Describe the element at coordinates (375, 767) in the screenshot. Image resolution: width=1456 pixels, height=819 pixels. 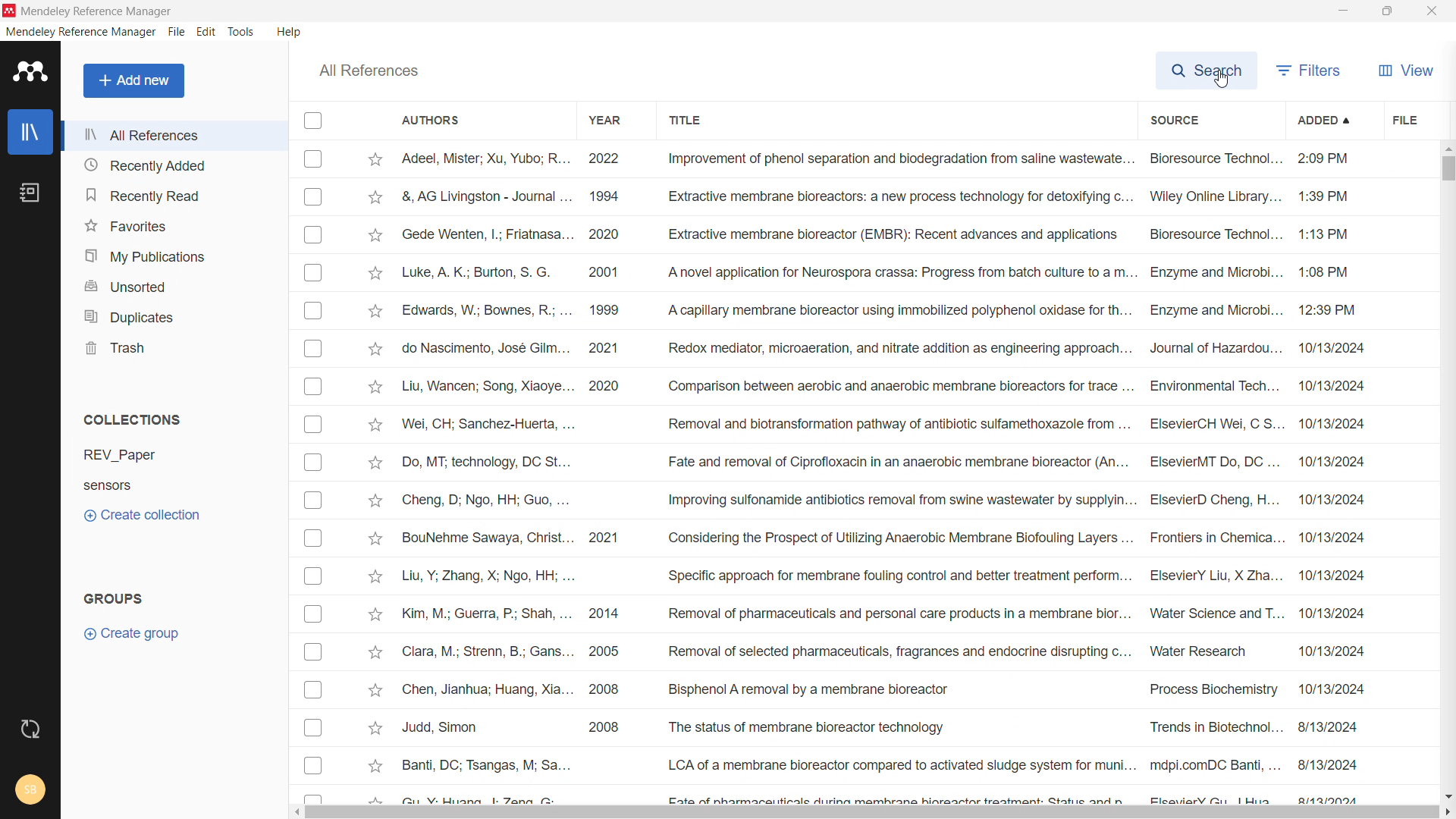
I see `Add to favourites` at that location.